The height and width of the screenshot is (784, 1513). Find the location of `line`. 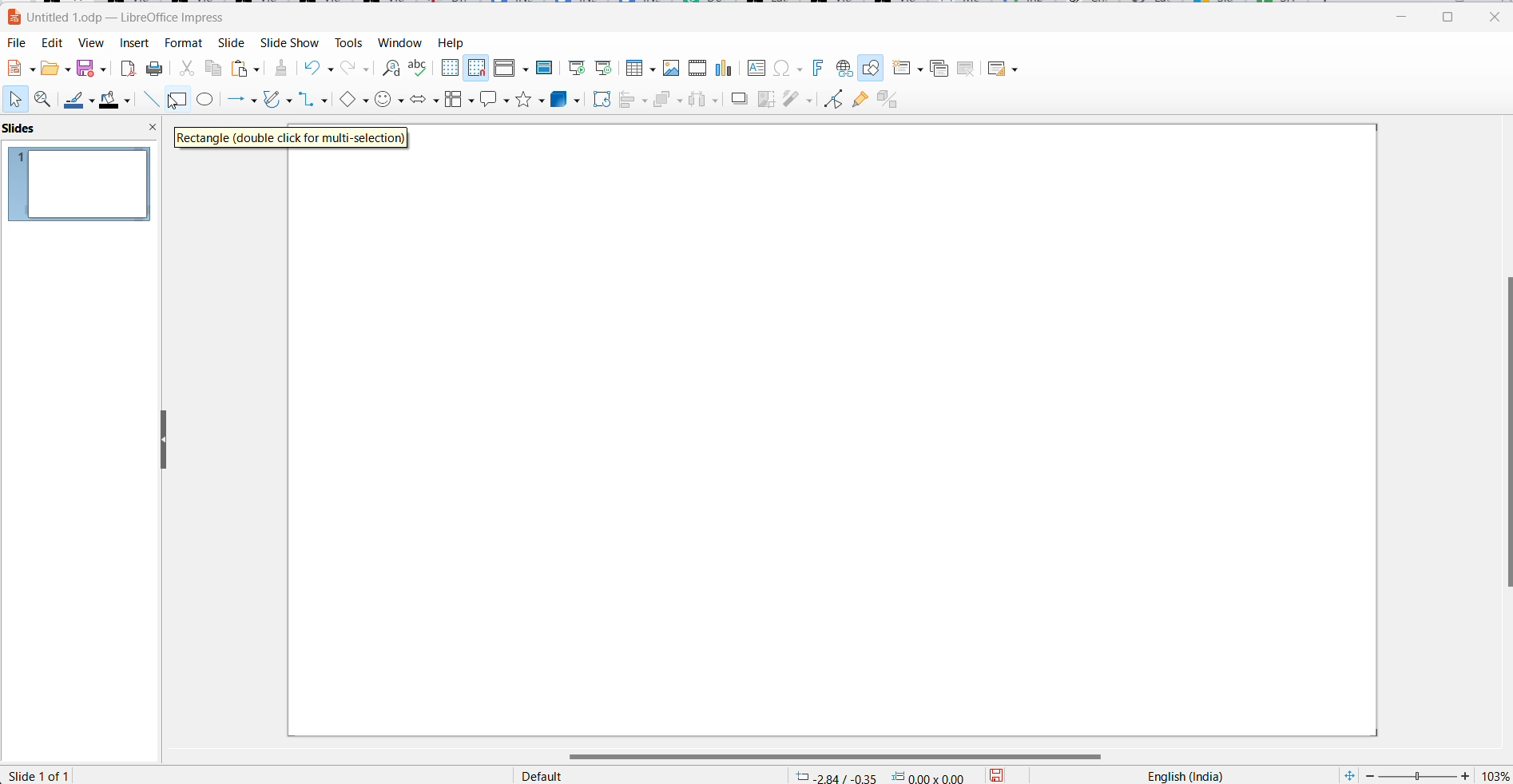

line is located at coordinates (151, 100).